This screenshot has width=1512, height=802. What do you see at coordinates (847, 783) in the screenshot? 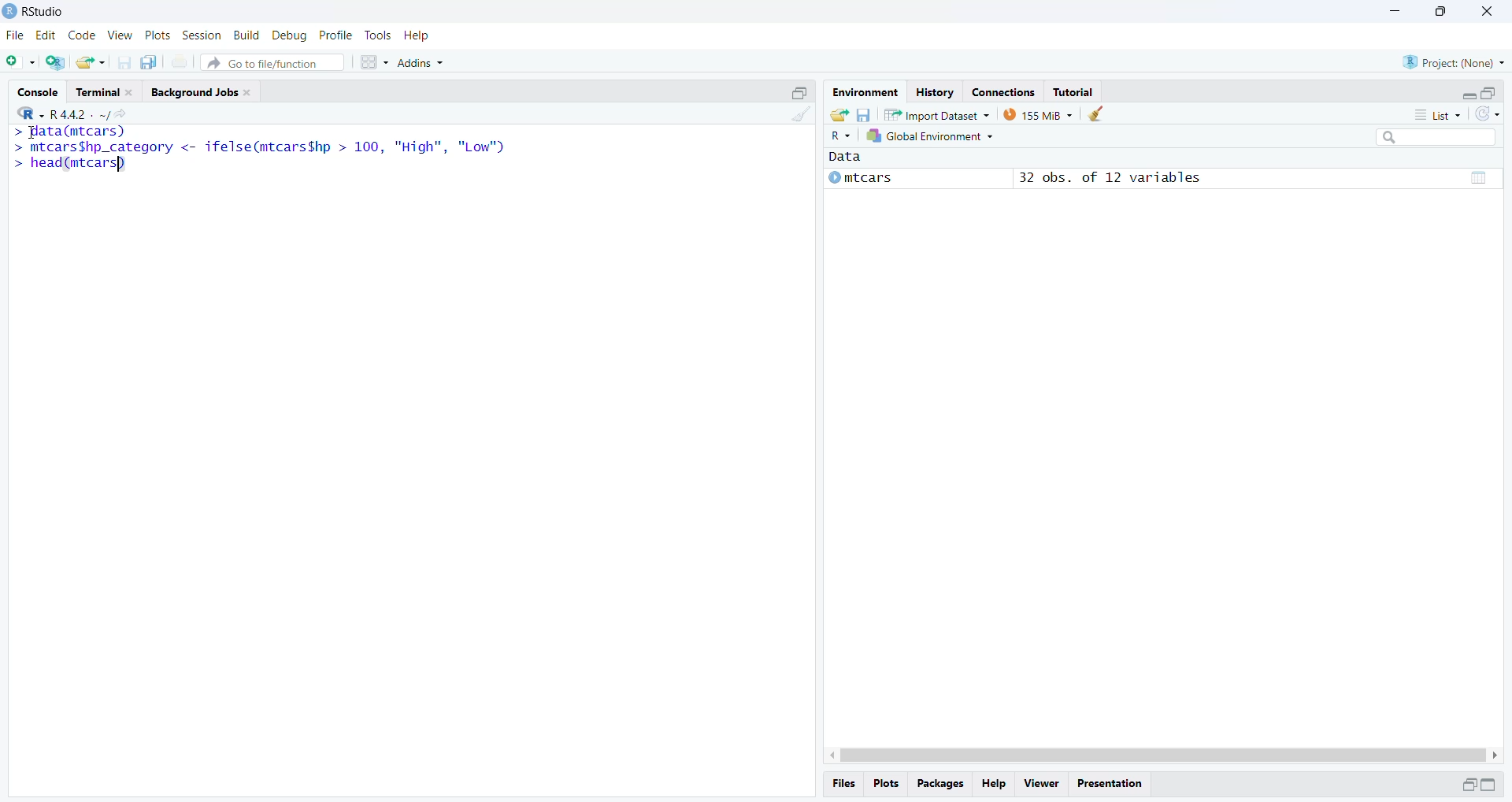
I see `Files` at bounding box center [847, 783].